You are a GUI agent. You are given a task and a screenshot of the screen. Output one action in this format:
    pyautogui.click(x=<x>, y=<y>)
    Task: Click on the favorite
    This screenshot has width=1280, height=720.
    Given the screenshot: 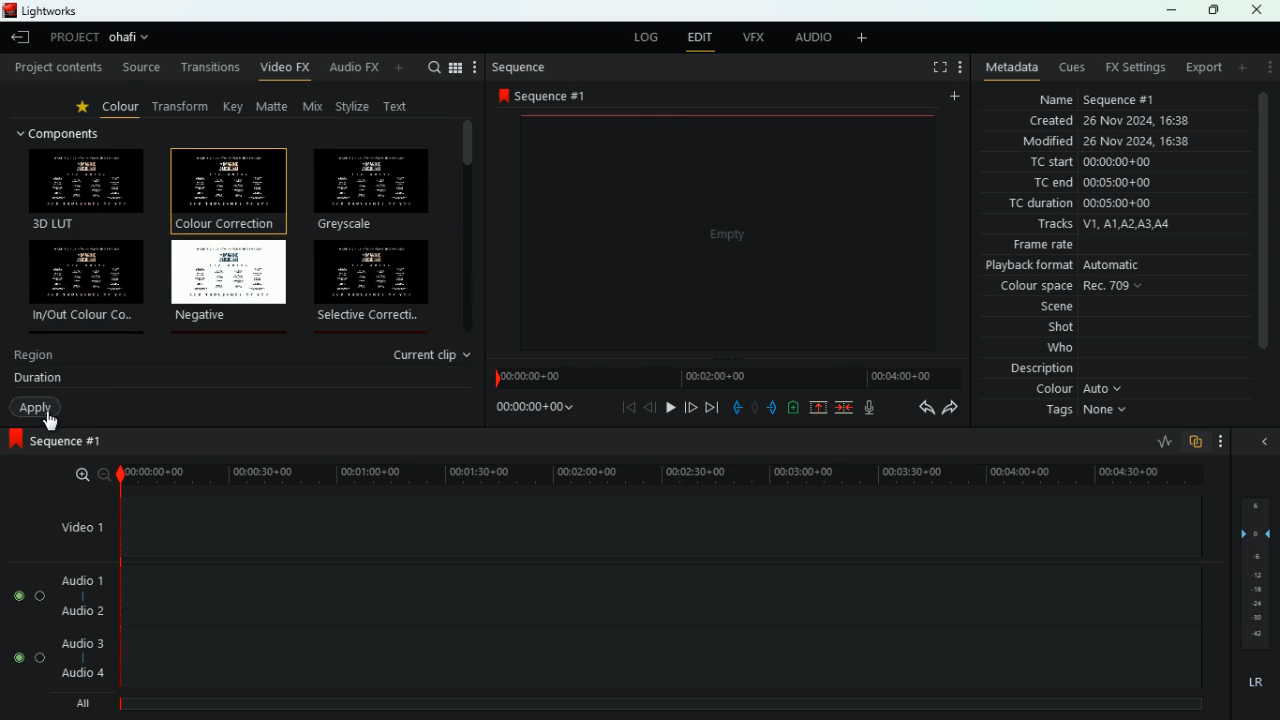 What is the action you would take?
    pyautogui.click(x=86, y=109)
    